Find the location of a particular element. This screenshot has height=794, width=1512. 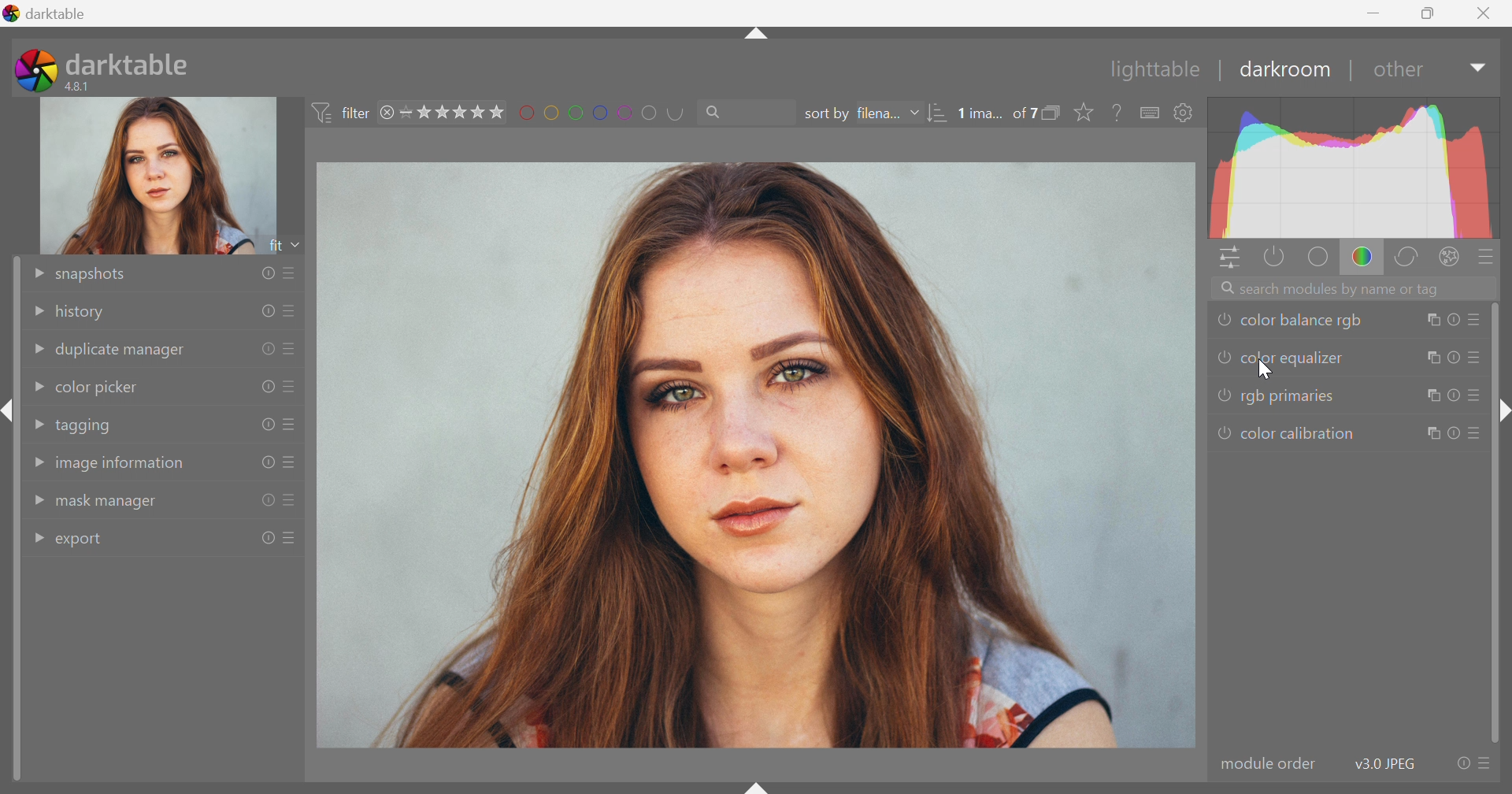

| is located at coordinates (1350, 70).